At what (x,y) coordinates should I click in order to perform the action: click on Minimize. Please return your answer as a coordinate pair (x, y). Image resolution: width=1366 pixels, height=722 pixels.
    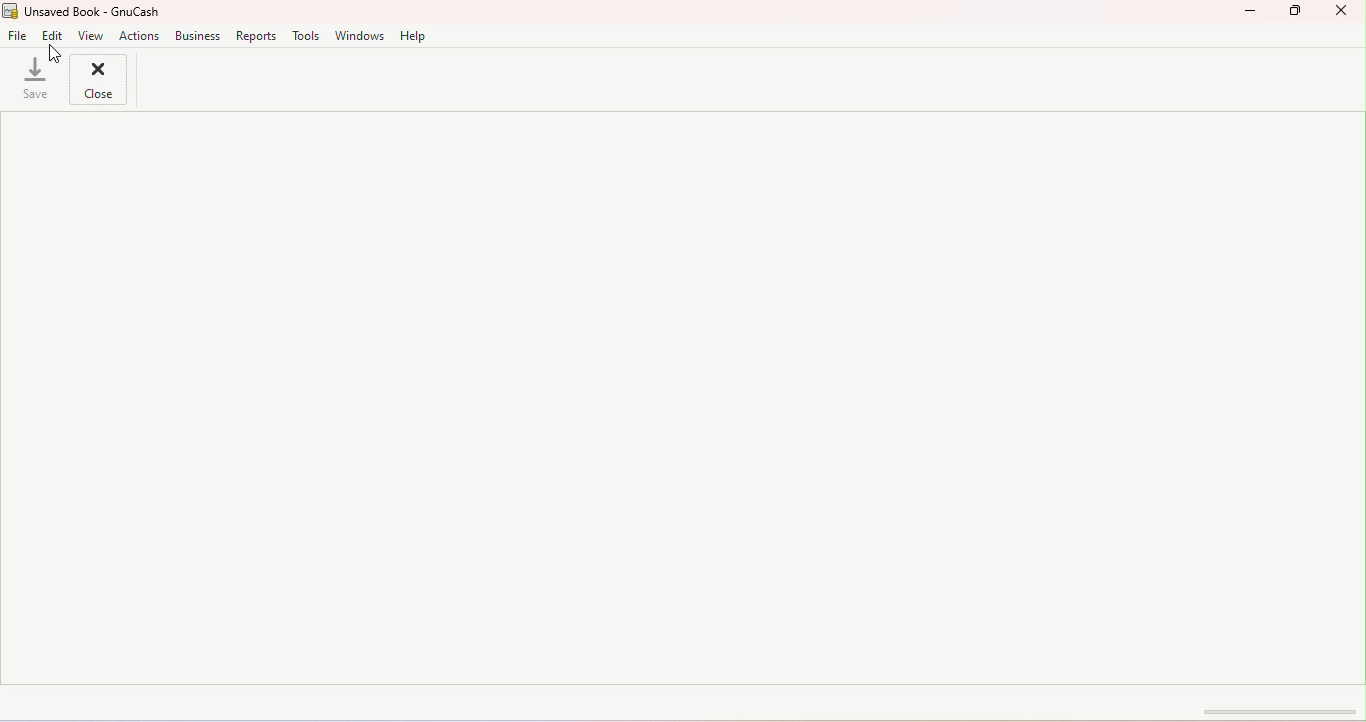
    Looking at the image, I should click on (1254, 12).